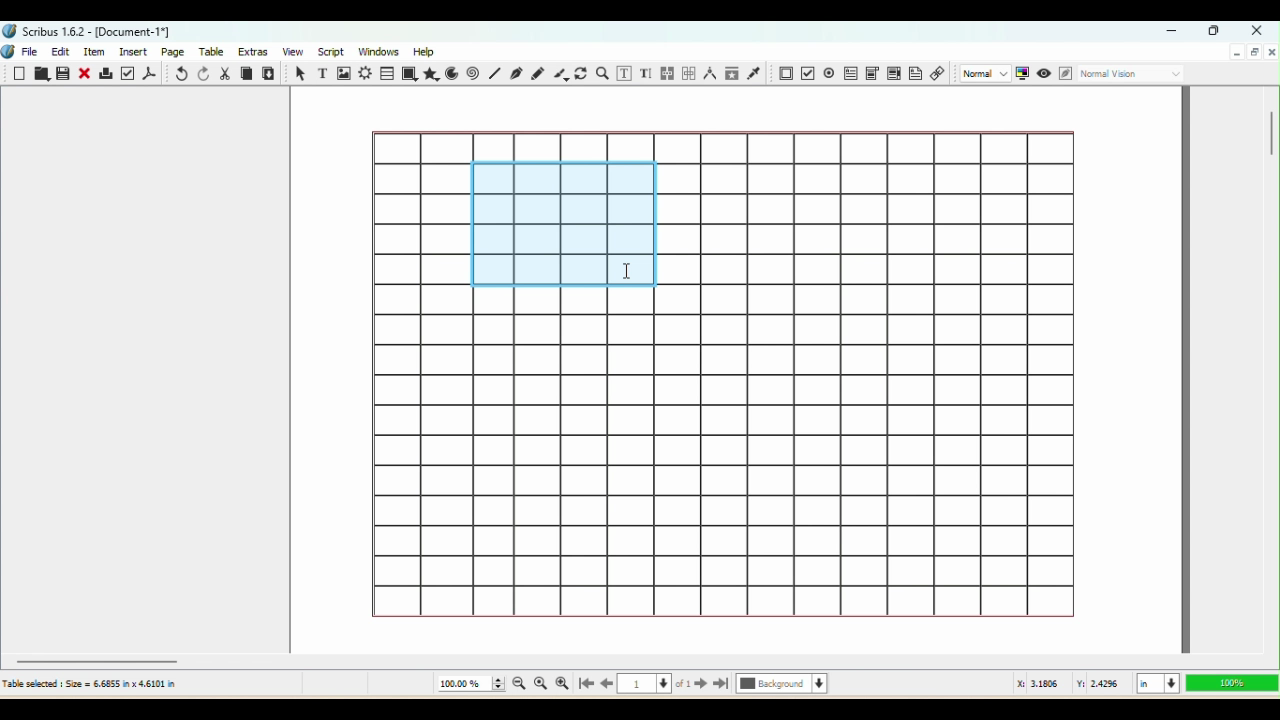 Image resolution: width=1280 pixels, height=720 pixels. What do you see at coordinates (666, 72) in the screenshot?
I see `Link text frames` at bounding box center [666, 72].